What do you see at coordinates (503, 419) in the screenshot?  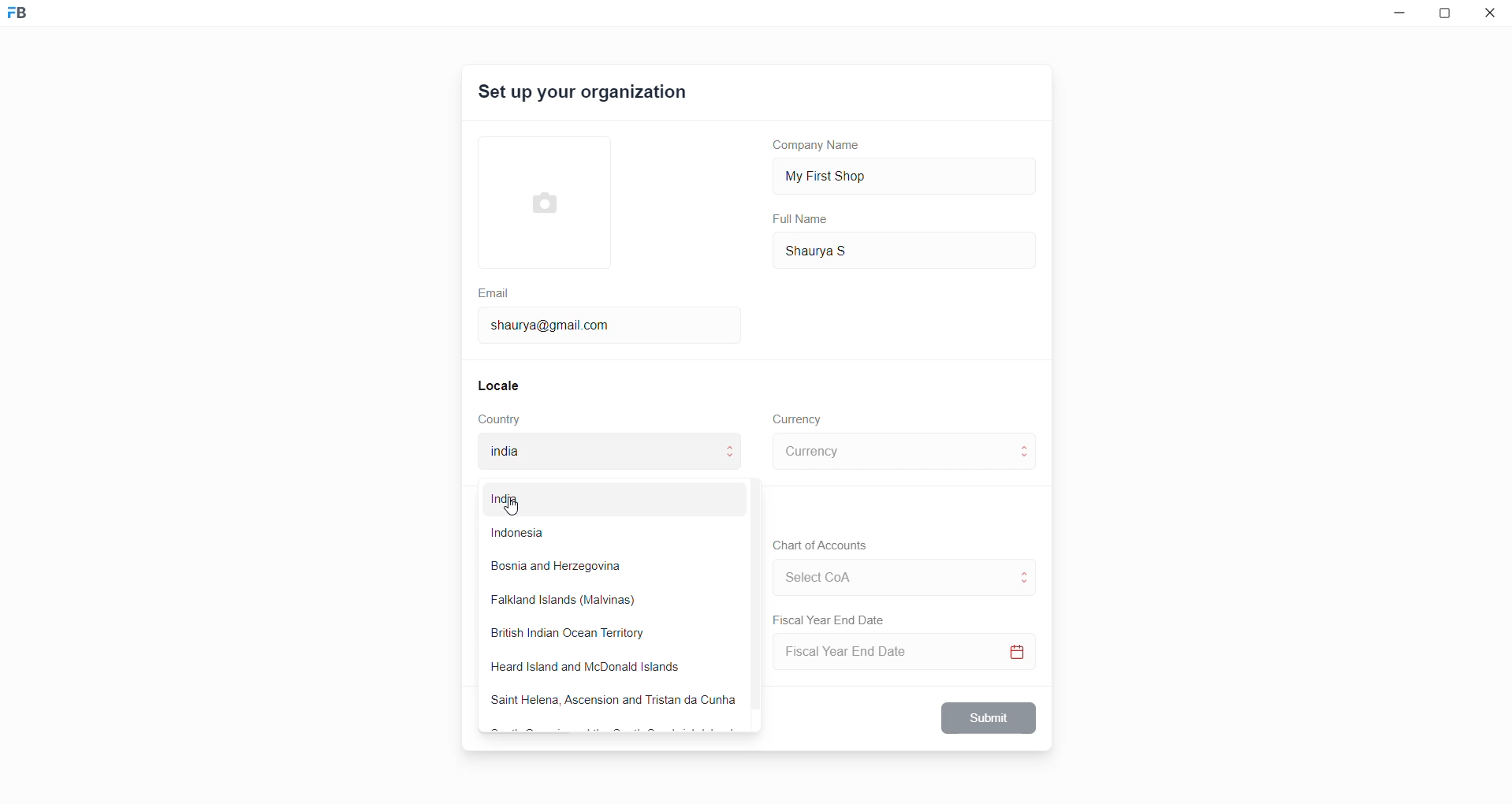 I see `Country` at bounding box center [503, 419].